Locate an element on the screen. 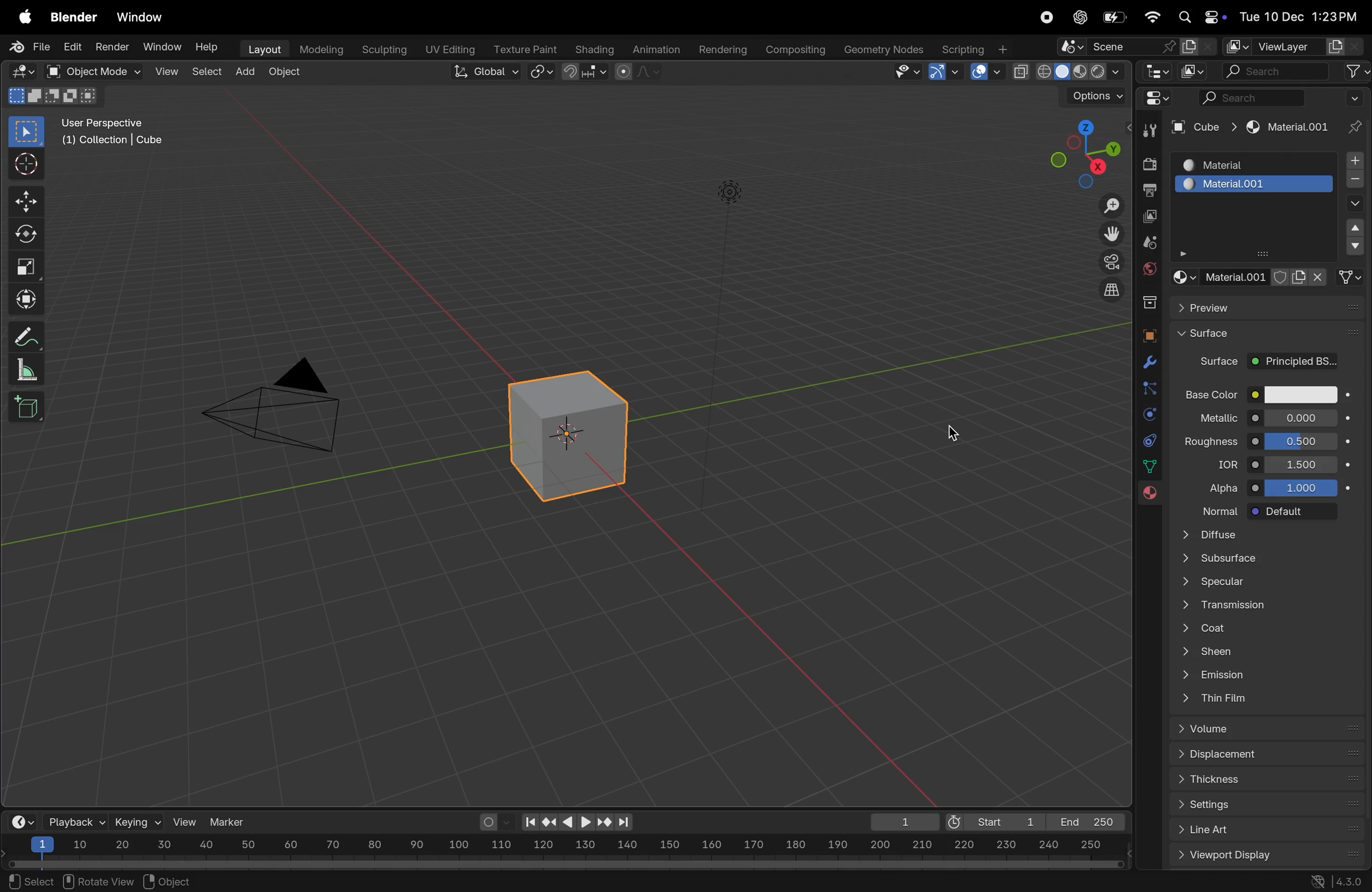 Image resolution: width=1372 pixels, height=892 pixels. object is located at coordinates (1148, 336).